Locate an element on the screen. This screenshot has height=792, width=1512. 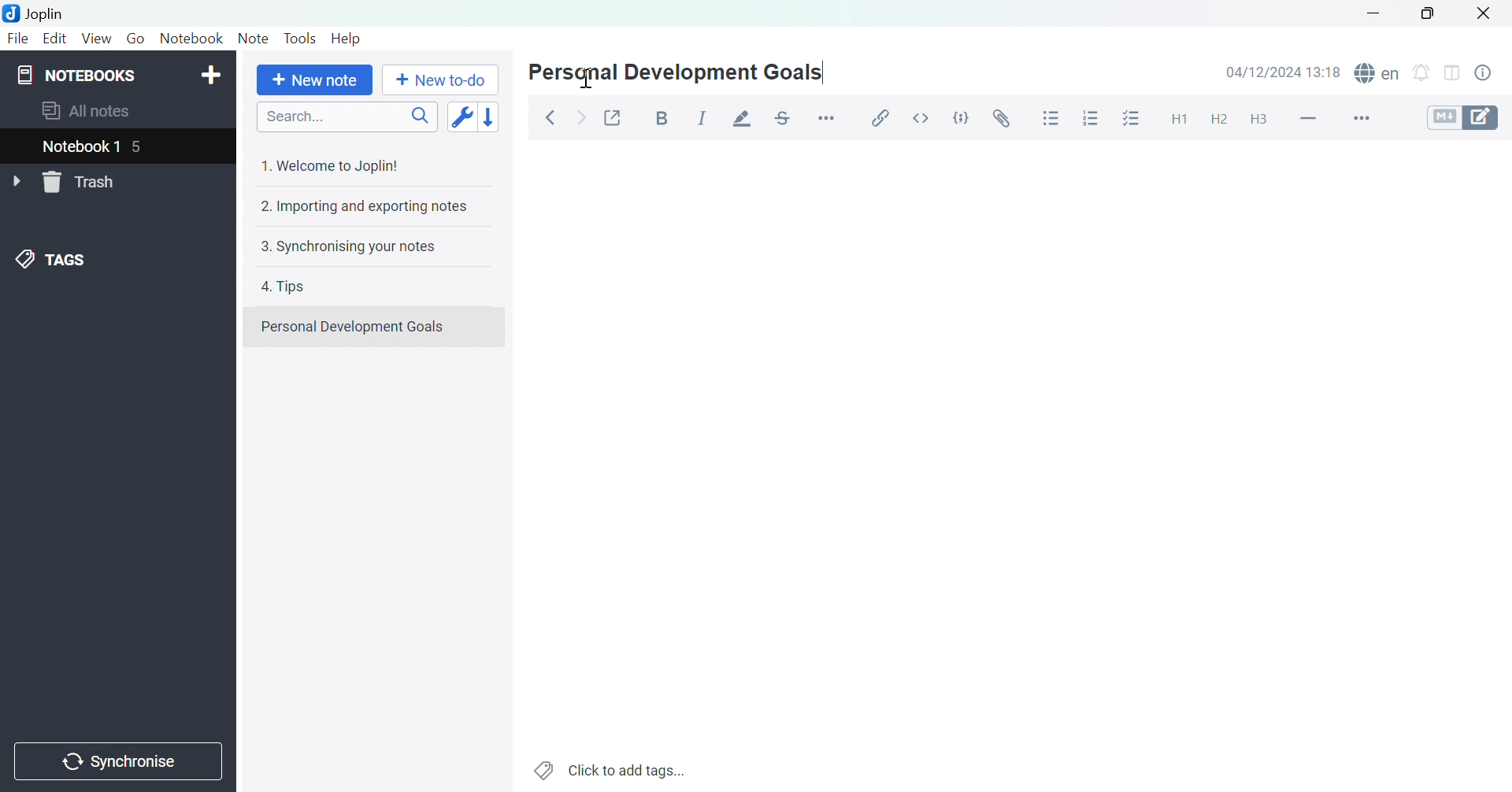
Close is located at coordinates (1484, 13).